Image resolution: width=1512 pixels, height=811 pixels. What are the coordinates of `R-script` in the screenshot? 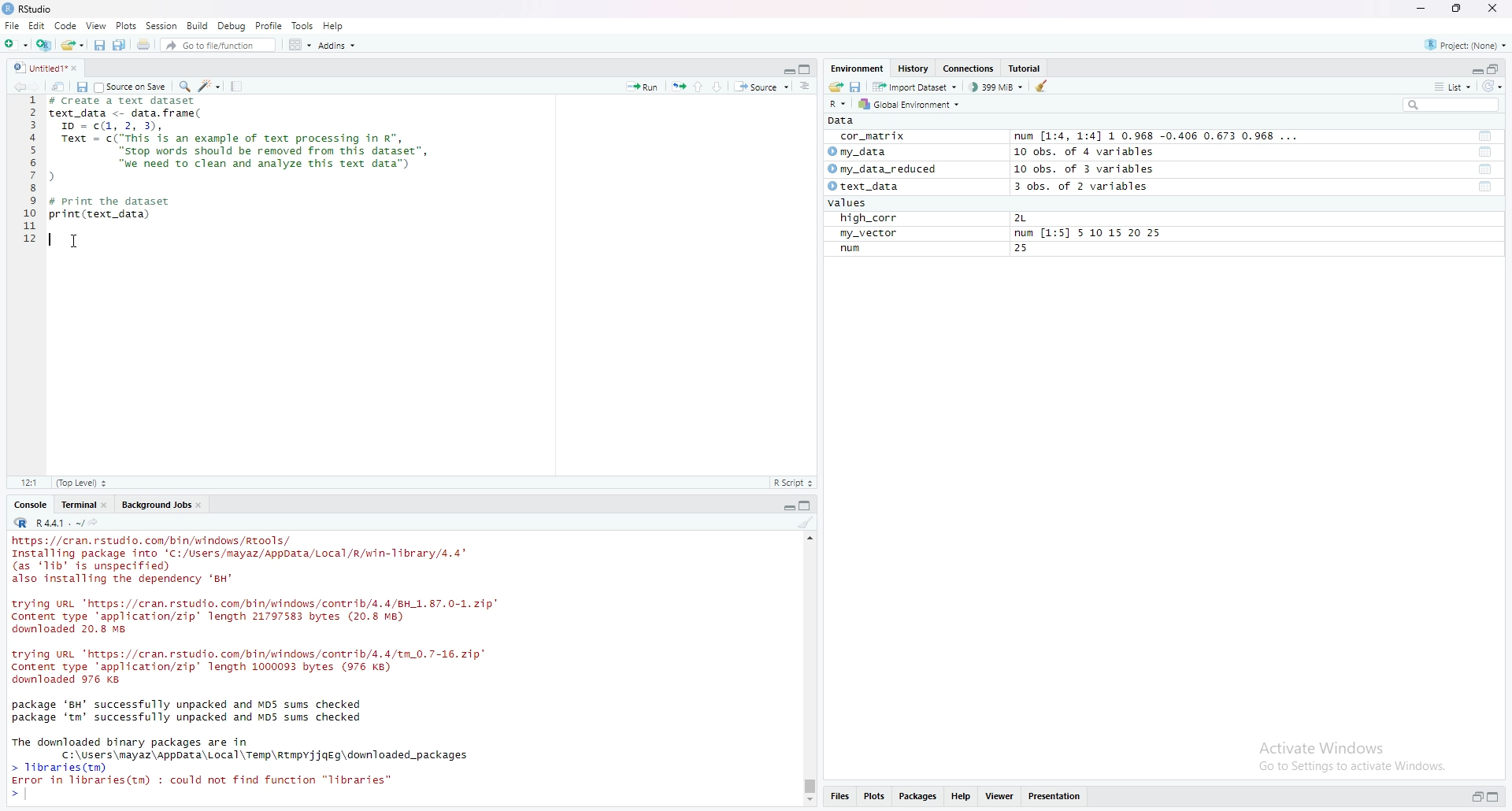 It's located at (796, 482).